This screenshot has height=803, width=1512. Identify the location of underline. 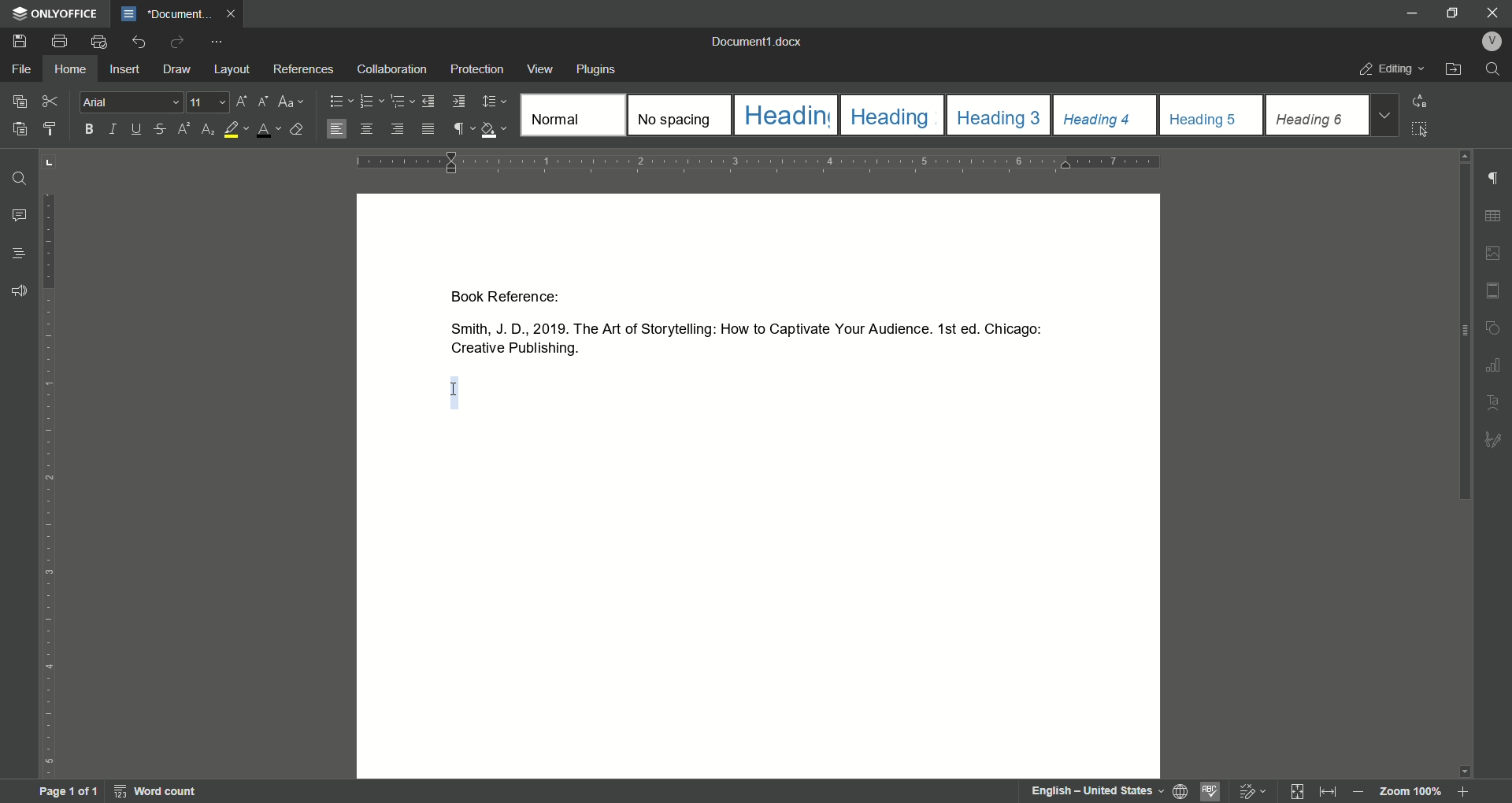
(138, 130).